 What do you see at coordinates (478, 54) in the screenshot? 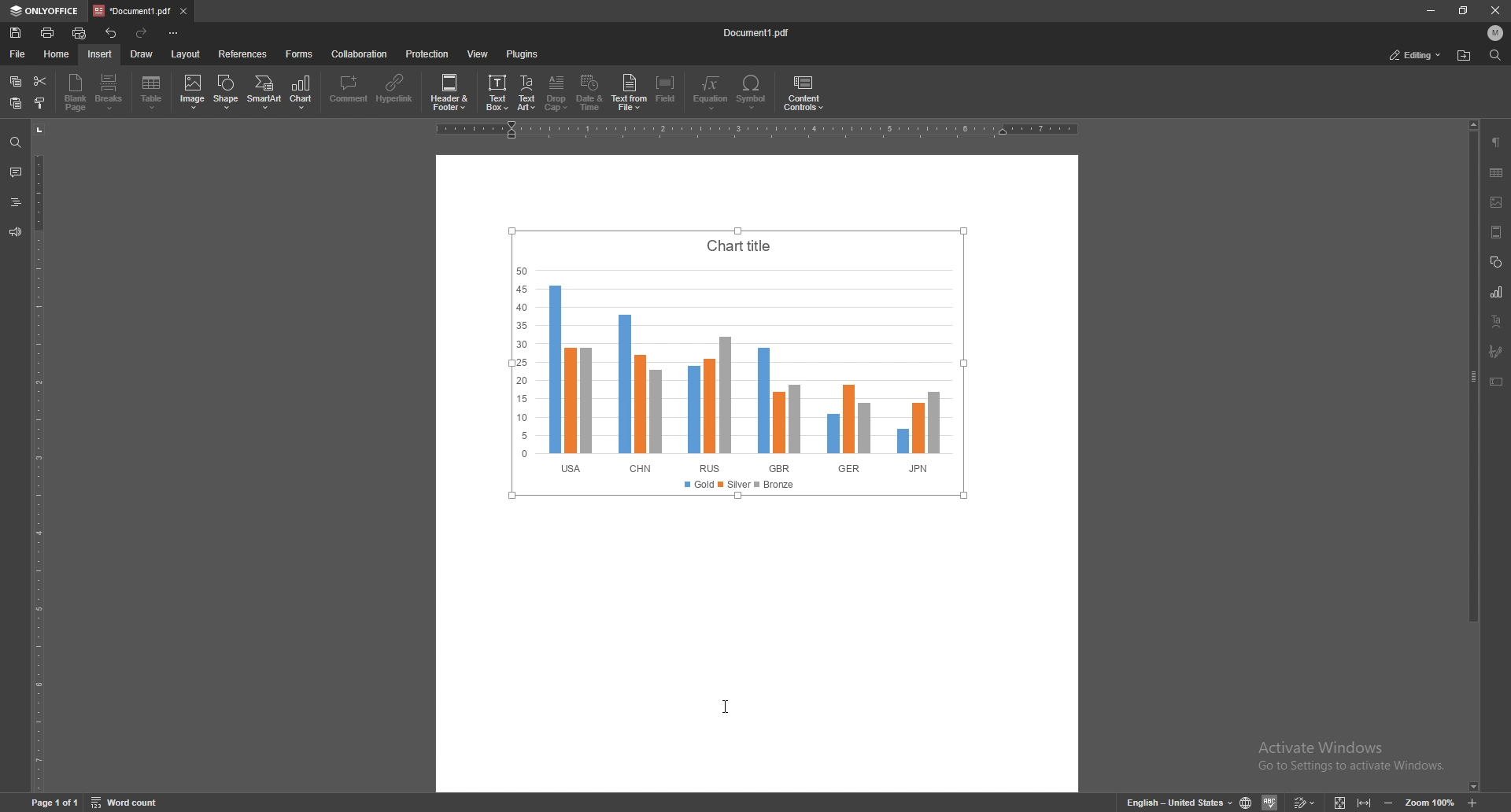
I see `view` at bounding box center [478, 54].